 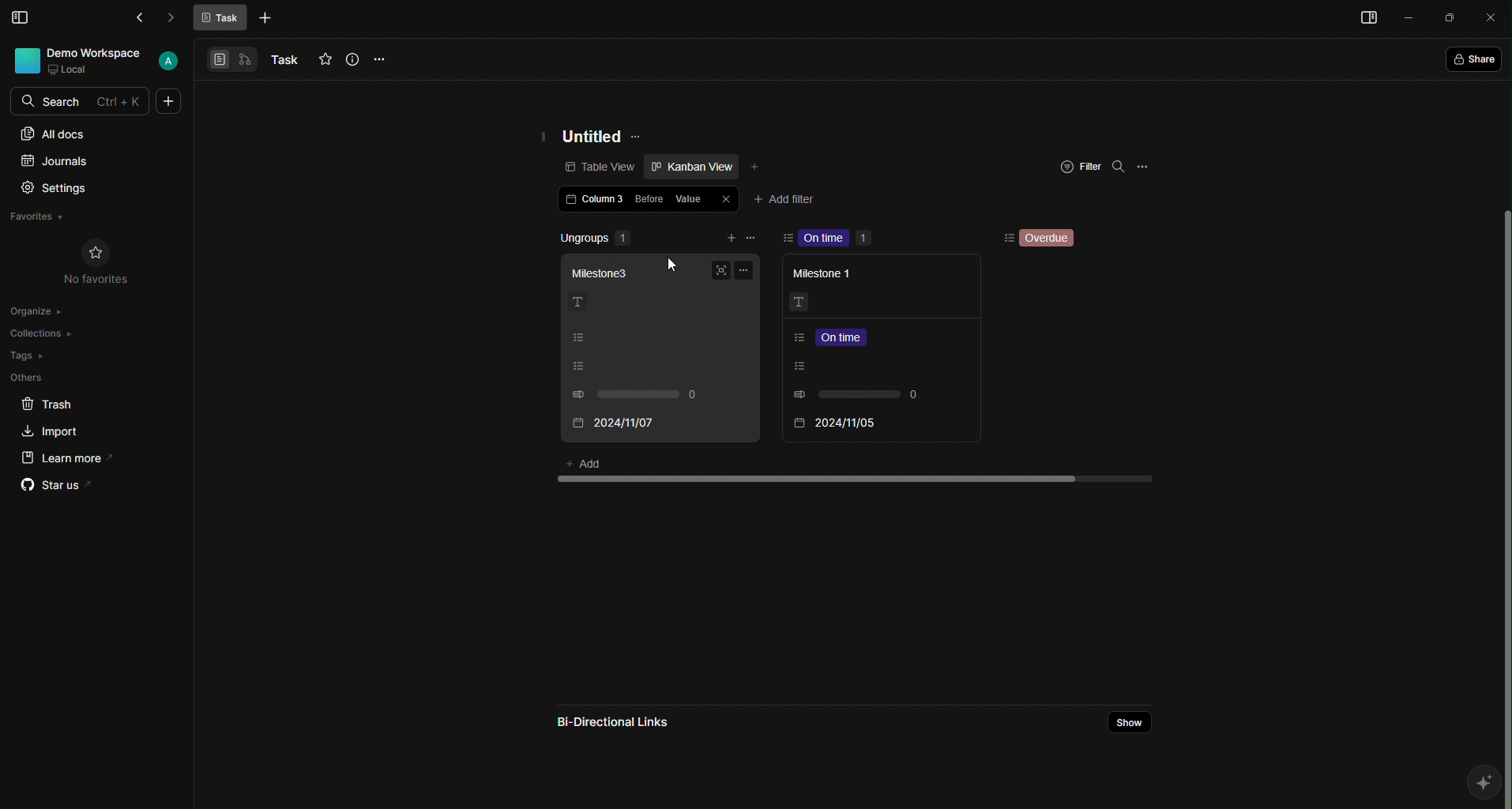 I want to click on Learn more, so click(x=73, y=457).